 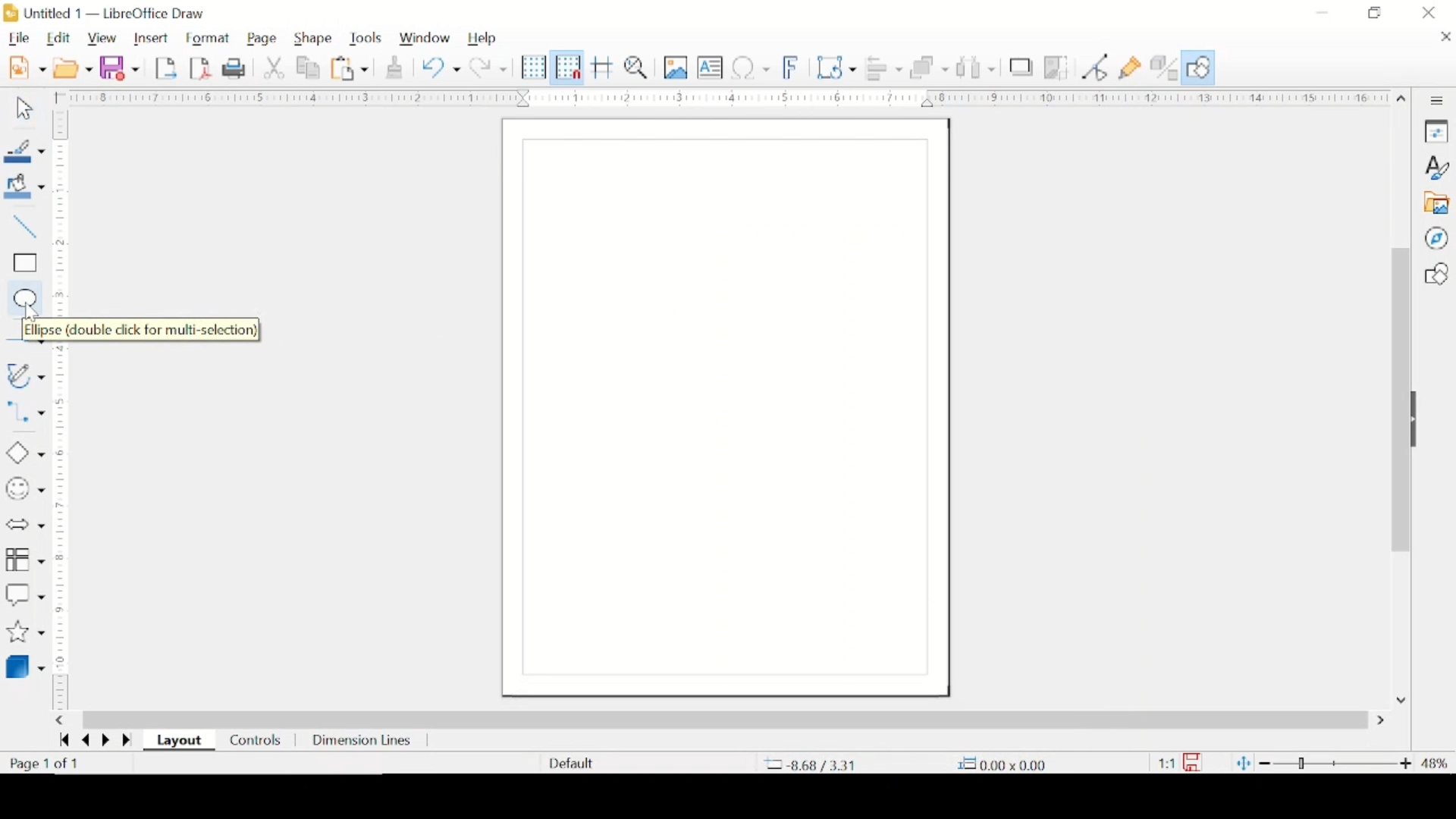 I want to click on scroll left arrow, so click(x=63, y=721).